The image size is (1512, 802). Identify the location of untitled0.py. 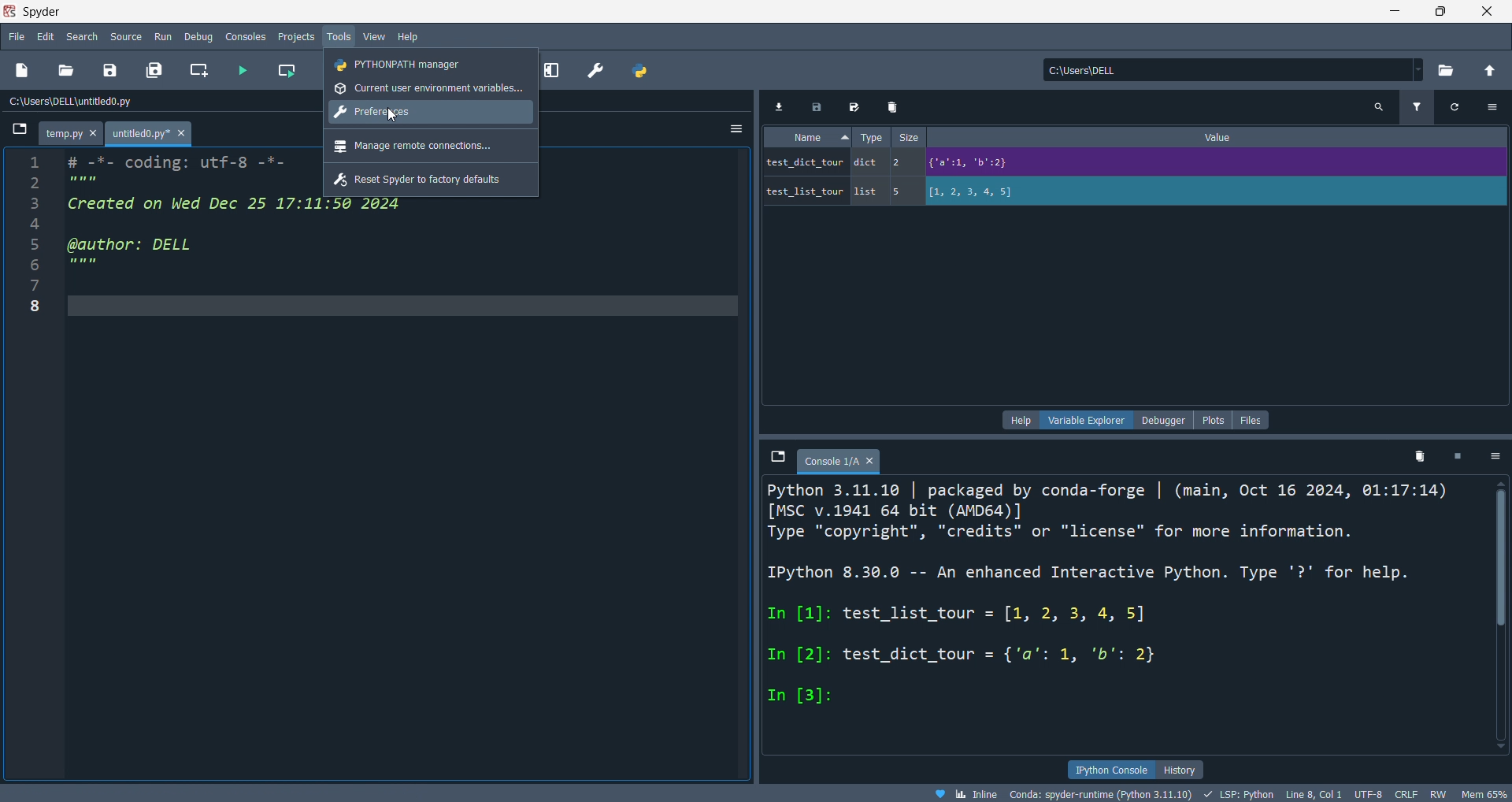
(154, 133).